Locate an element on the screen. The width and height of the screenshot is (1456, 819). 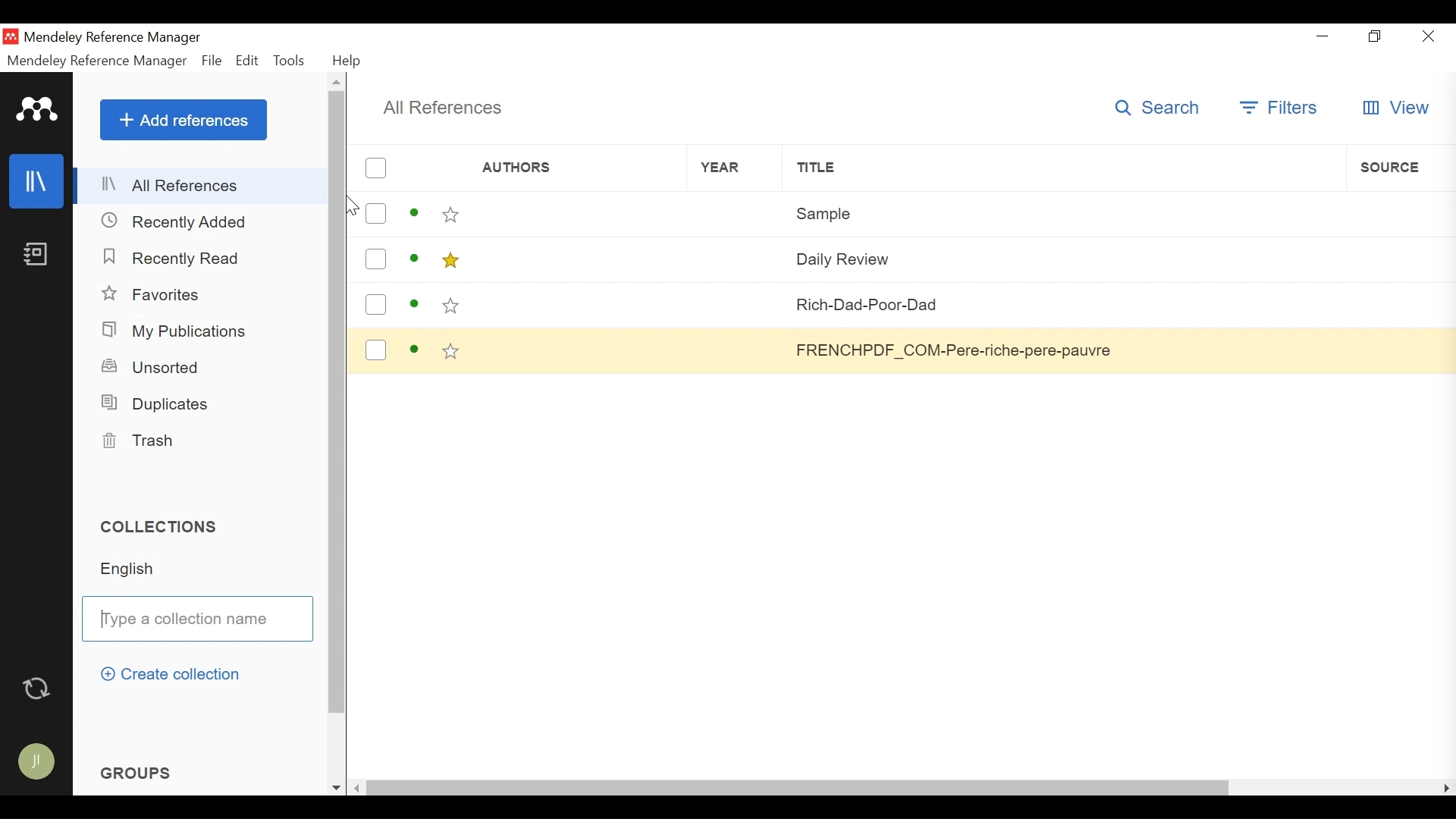
Scroll up is located at coordinates (337, 81).